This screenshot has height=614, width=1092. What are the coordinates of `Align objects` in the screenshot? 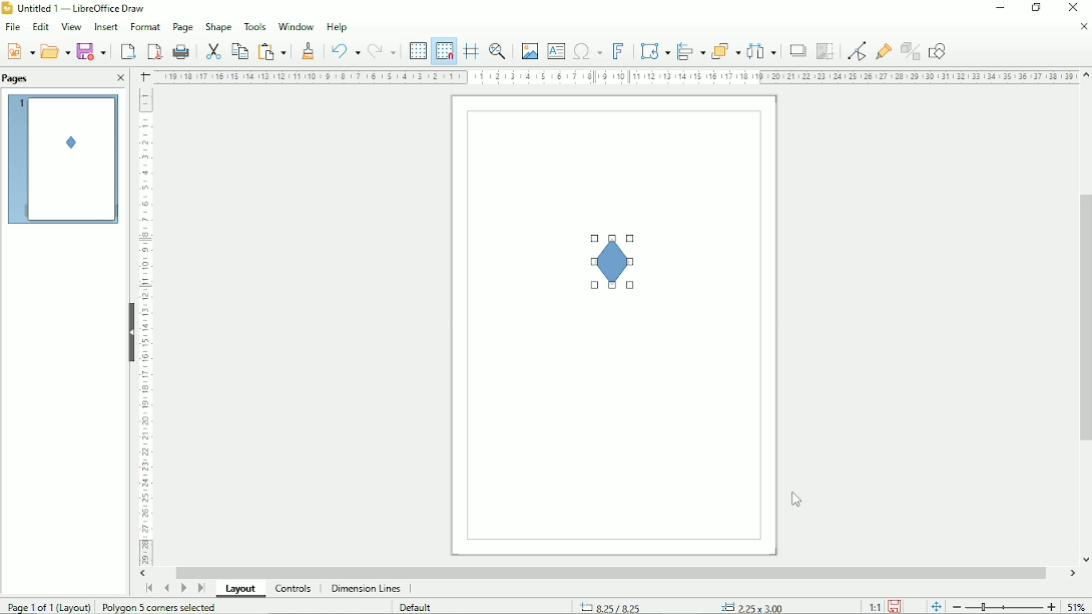 It's located at (689, 50).